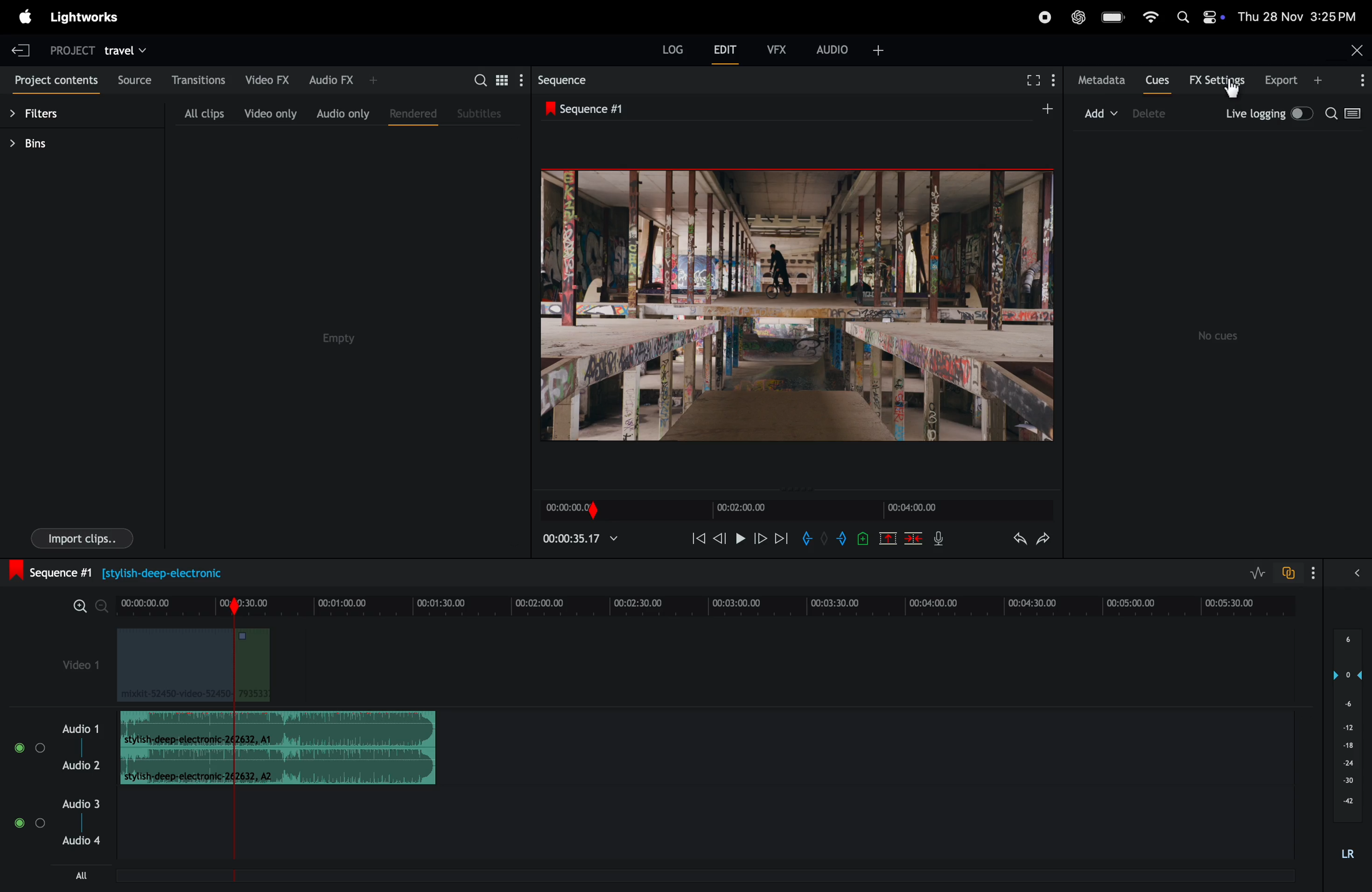  I want to click on transactions, so click(199, 78).